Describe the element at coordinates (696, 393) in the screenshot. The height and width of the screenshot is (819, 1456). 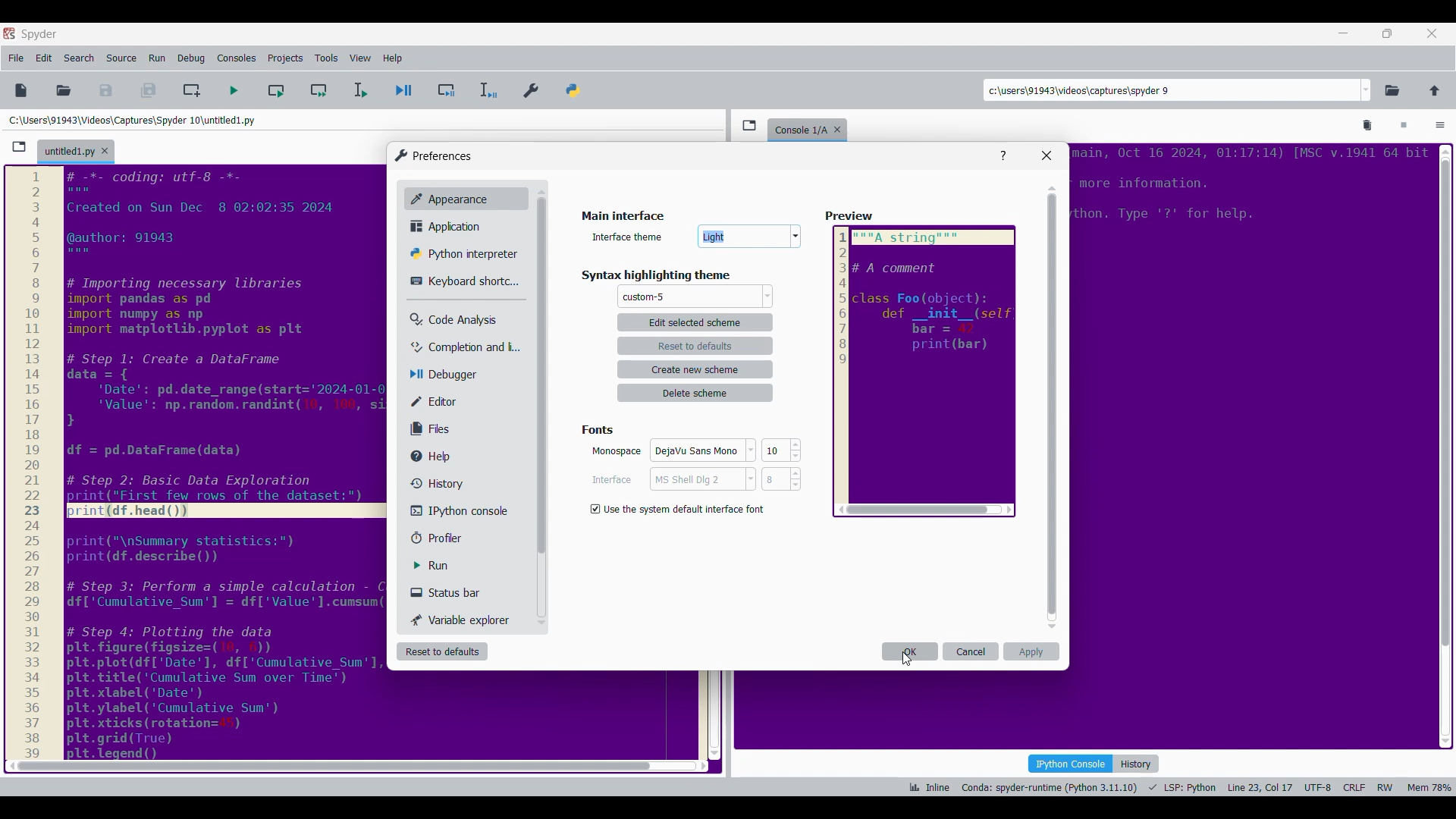
I see `delete scheme` at that location.